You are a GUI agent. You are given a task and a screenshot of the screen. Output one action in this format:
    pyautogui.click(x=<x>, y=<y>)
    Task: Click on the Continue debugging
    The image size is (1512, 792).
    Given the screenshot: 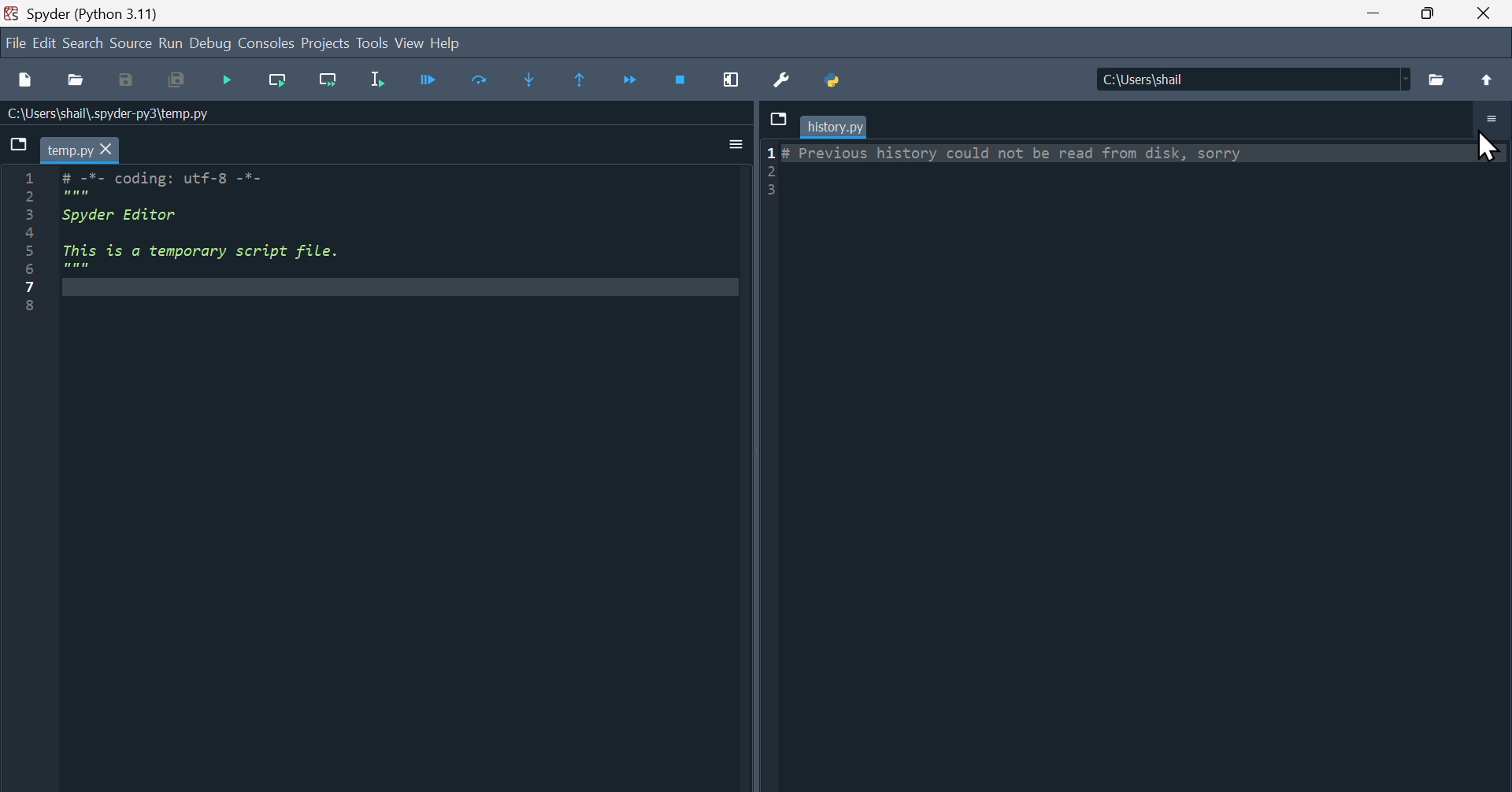 What is the action you would take?
    pyautogui.click(x=437, y=80)
    